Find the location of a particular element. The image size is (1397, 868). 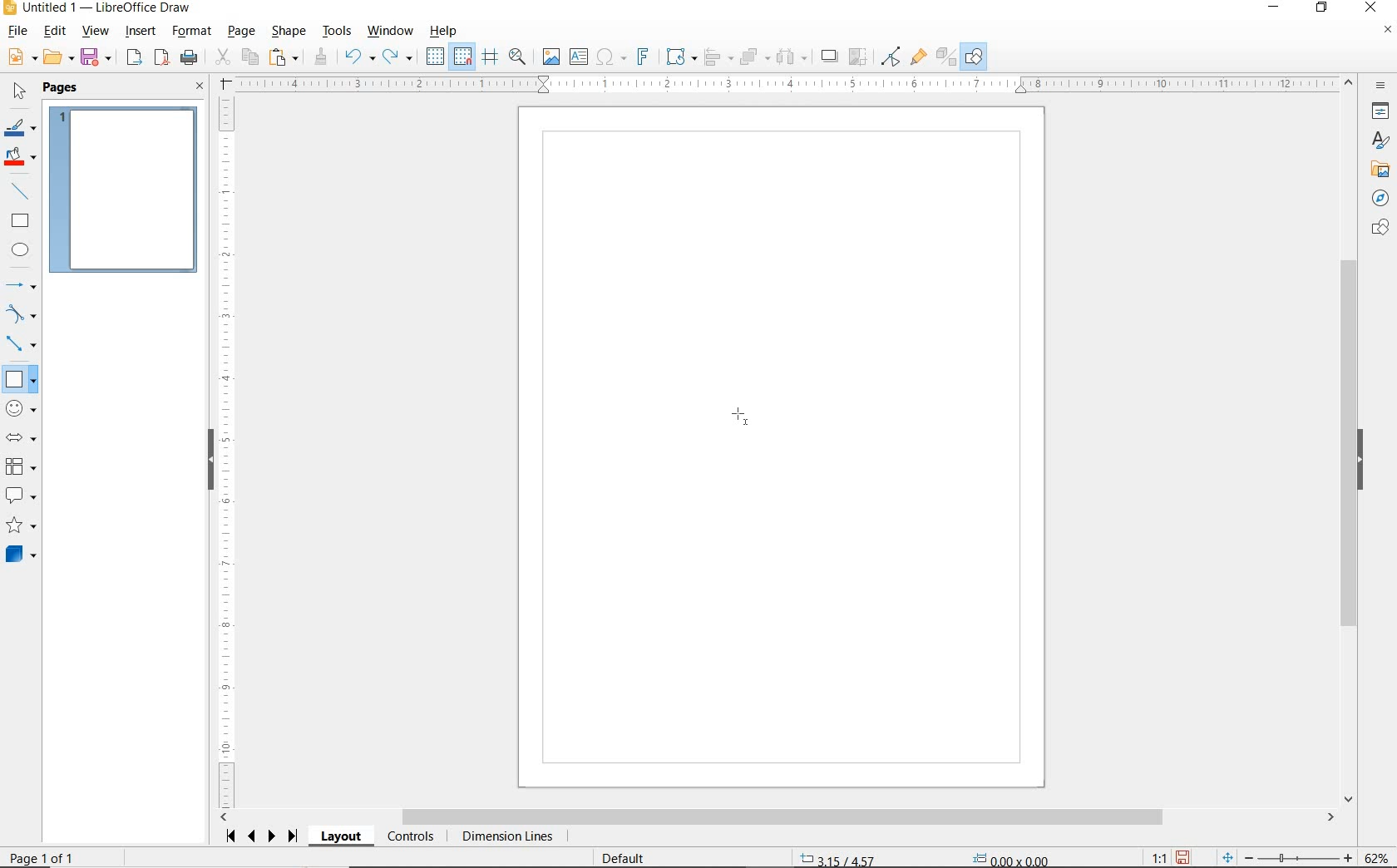

SCALING FACTOR is located at coordinates (1153, 854).